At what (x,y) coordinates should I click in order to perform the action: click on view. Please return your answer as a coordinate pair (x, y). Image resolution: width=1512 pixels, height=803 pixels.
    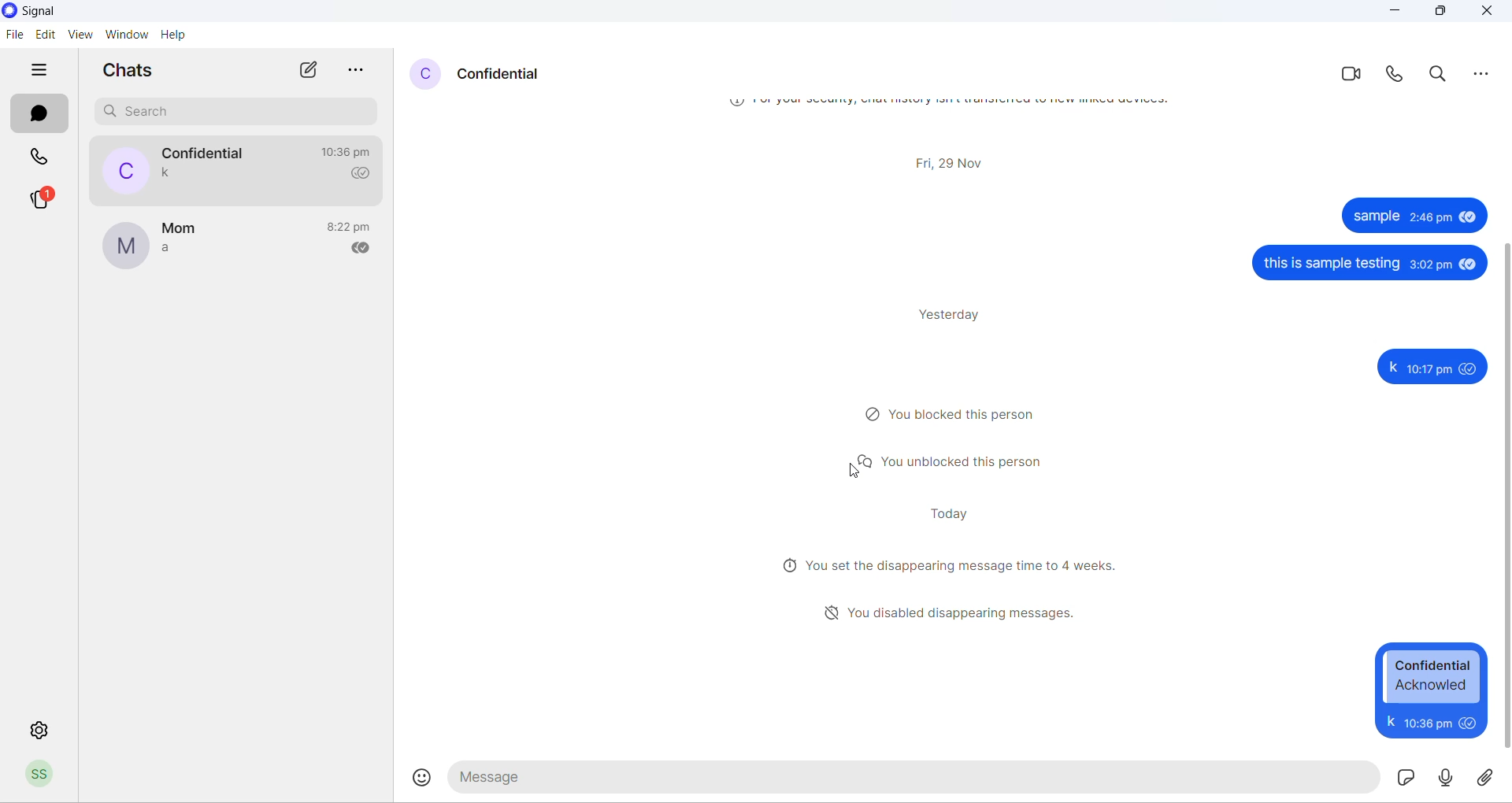
    Looking at the image, I should click on (79, 35).